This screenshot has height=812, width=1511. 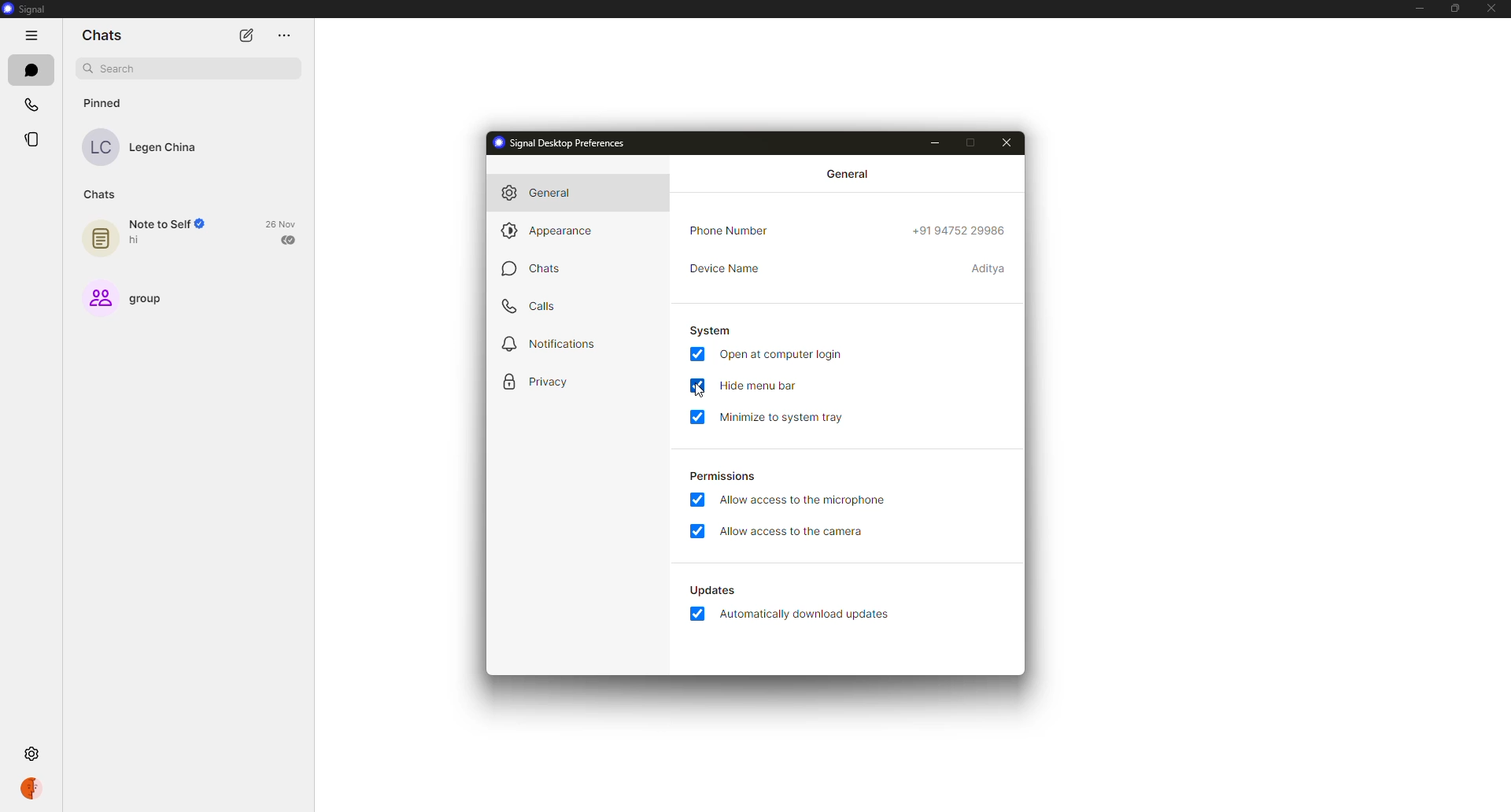 I want to click on phone number, so click(x=956, y=233).